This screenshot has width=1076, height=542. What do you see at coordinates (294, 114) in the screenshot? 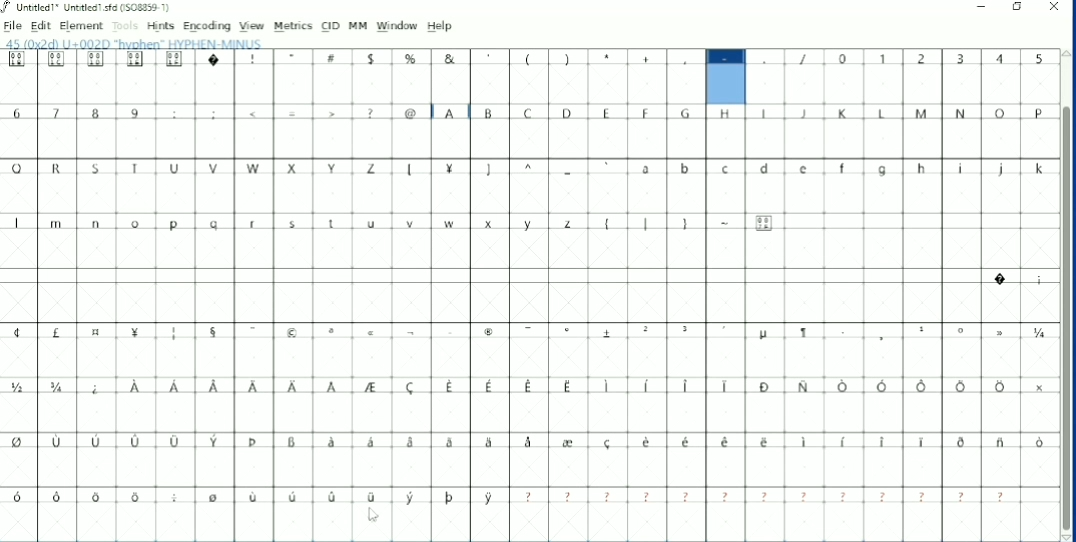
I see `Symbols` at bounding box center [294, 114].